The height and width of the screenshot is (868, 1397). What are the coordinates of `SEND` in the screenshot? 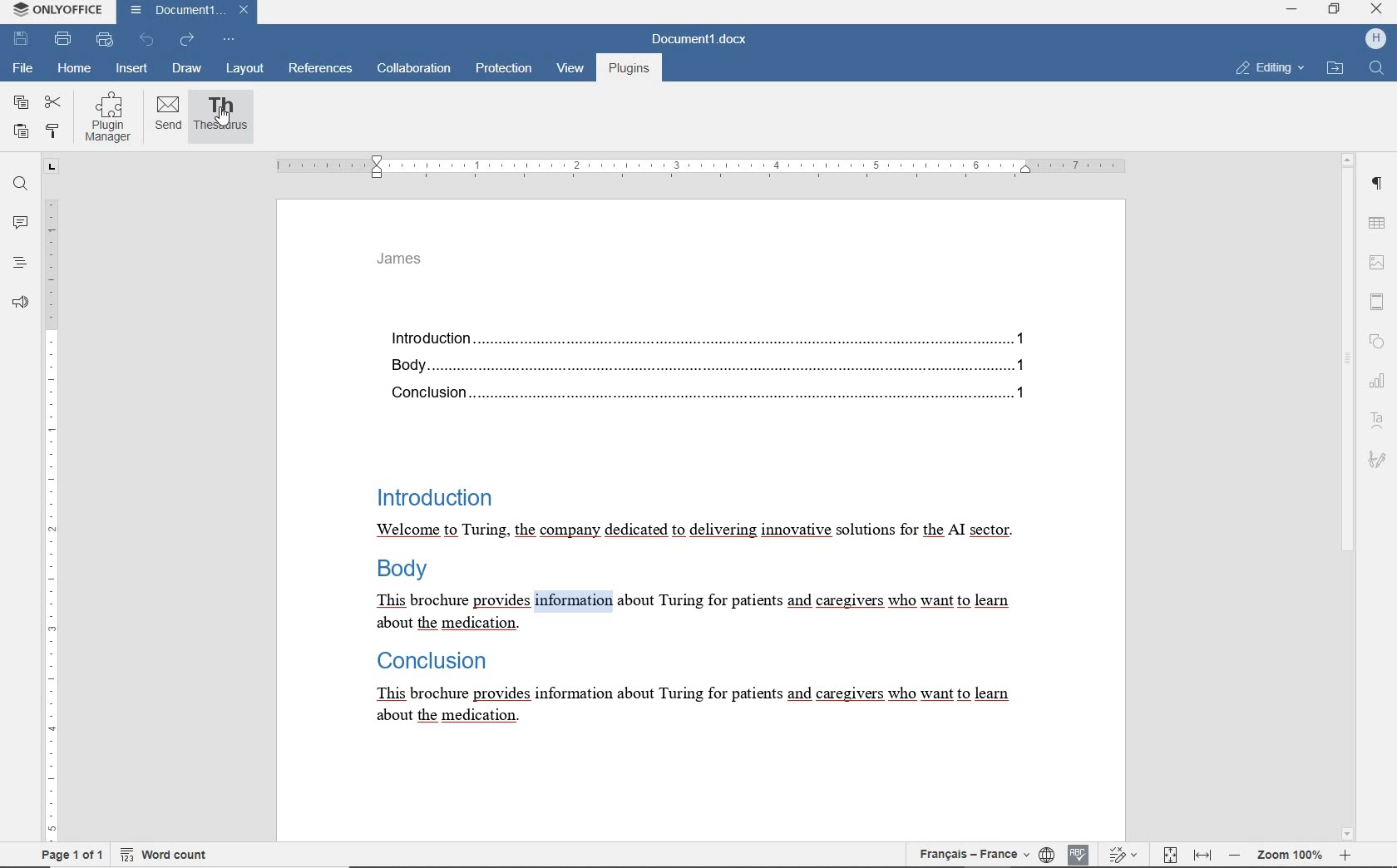 It's located at (168, 116).